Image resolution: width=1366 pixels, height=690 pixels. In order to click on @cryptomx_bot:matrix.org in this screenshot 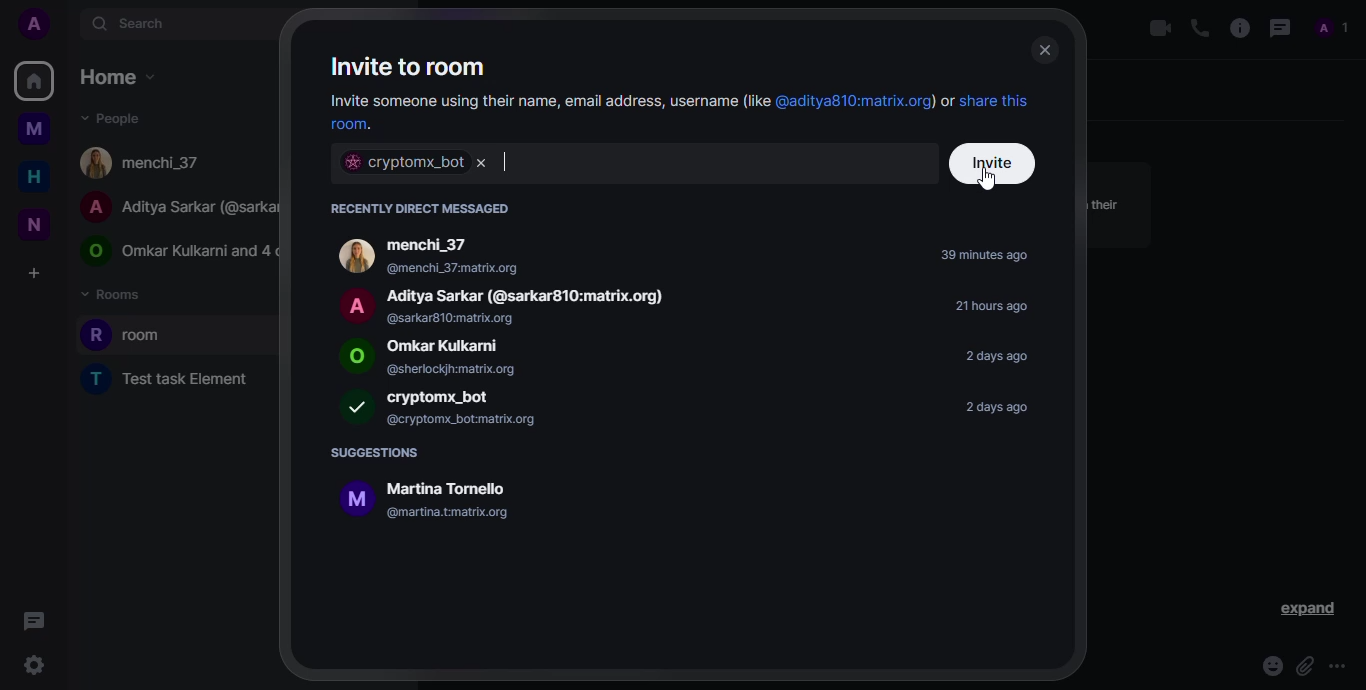, I will do `click(463, 421)`.